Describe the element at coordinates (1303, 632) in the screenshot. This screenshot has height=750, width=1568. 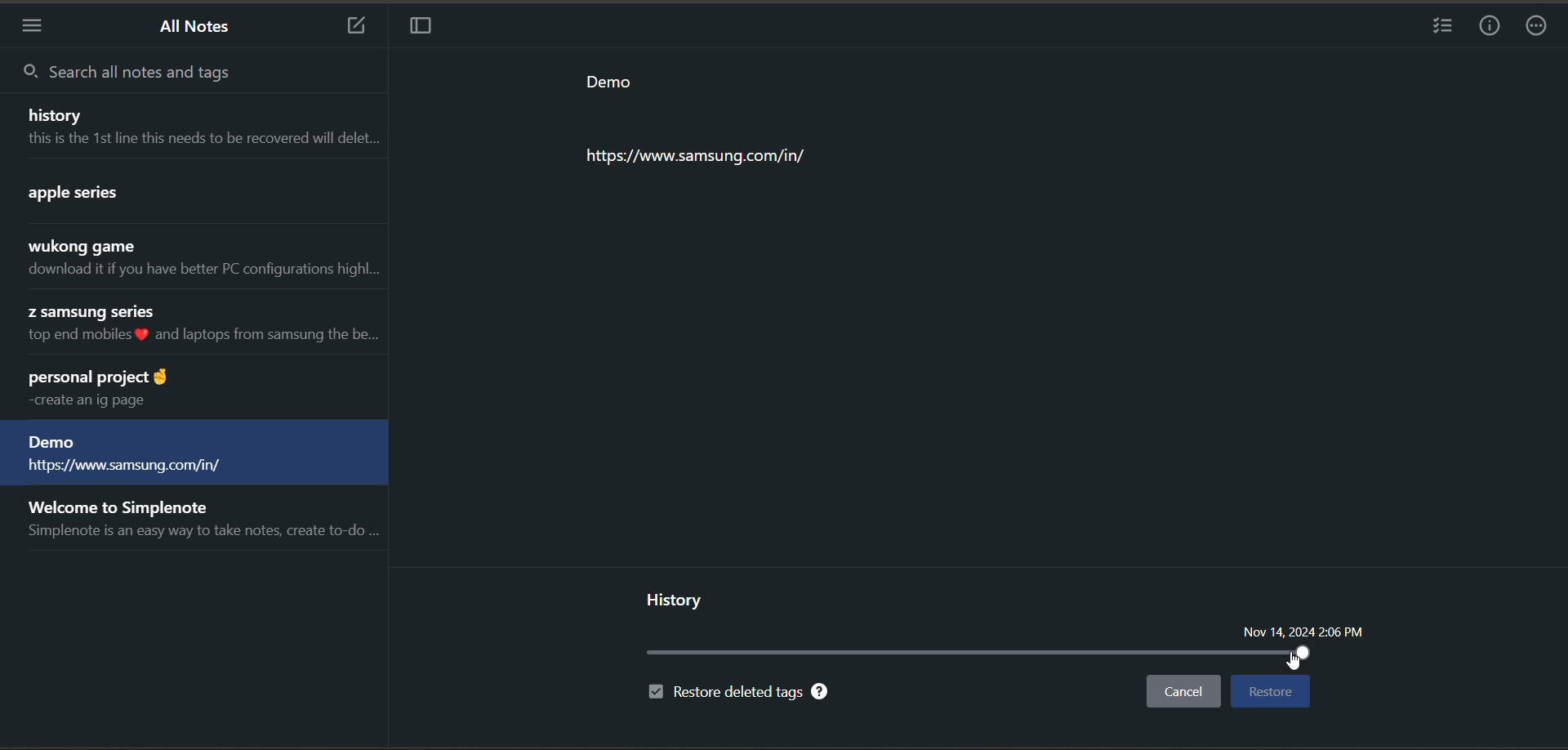
I see `timestamp` at that location.